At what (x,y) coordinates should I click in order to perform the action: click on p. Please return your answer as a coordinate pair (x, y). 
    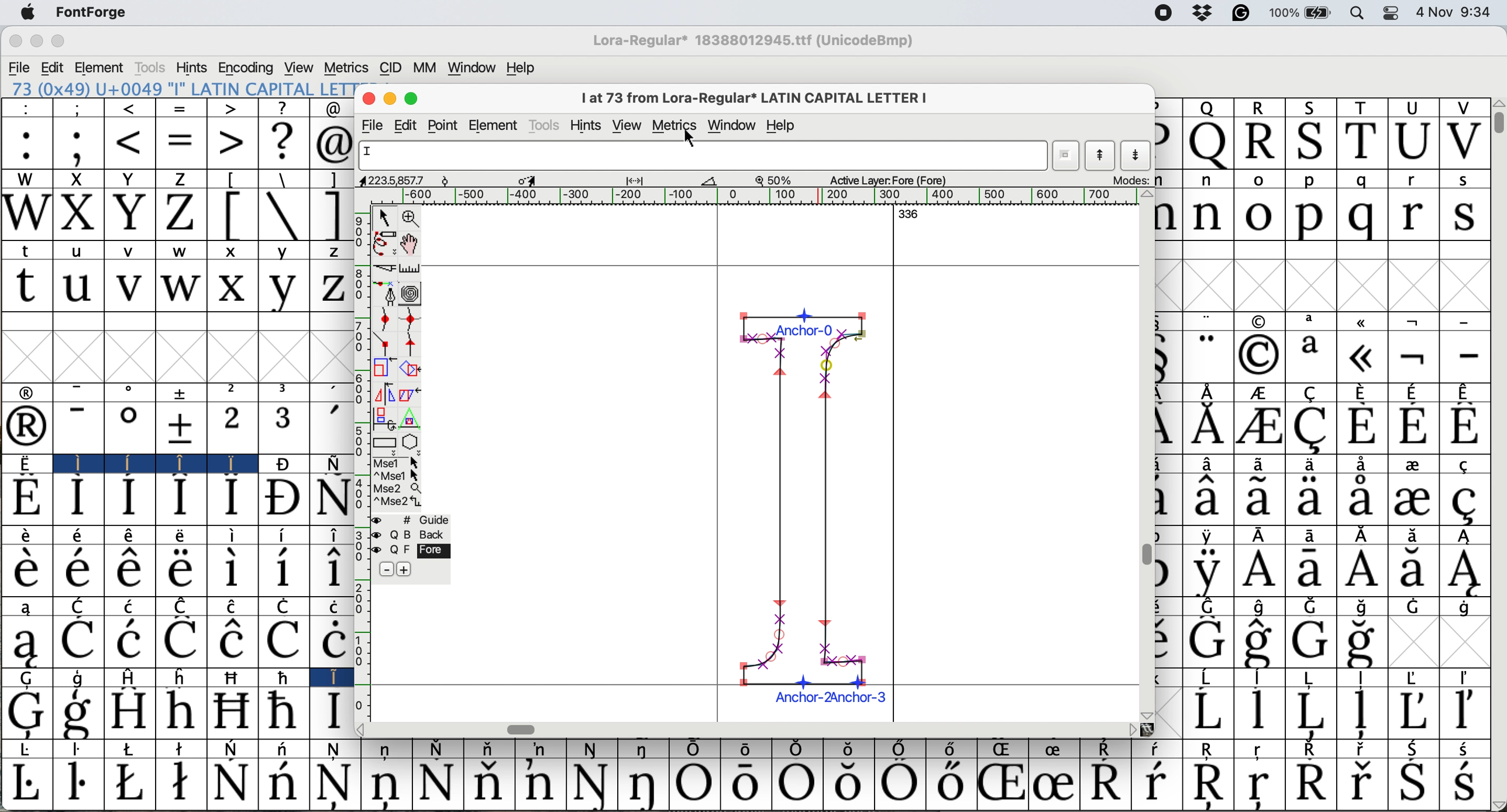
    Looking at the image, I should click on (1310, 181).